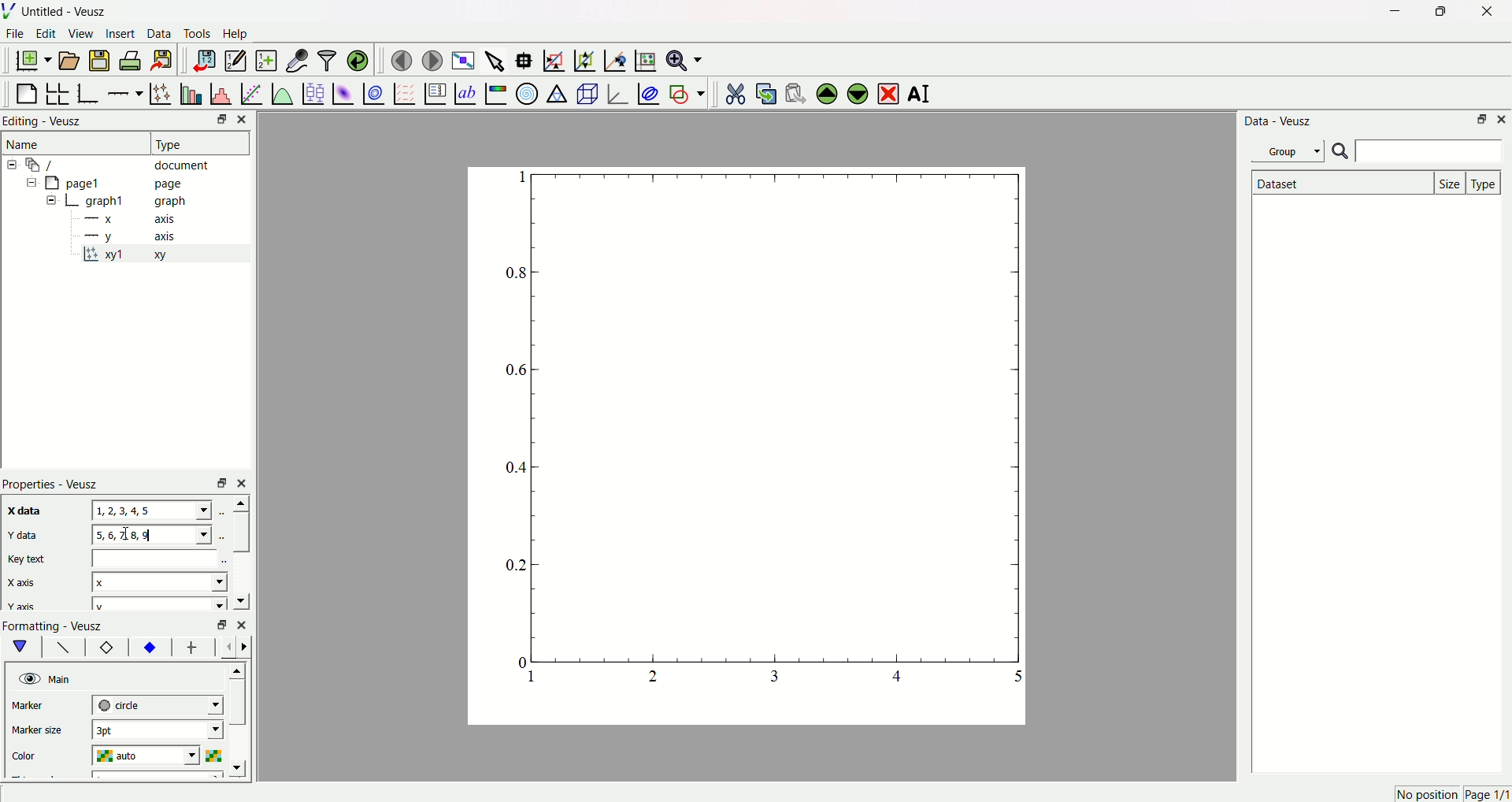  What do you see at coordinates (189, 91) in the screenshot?
I see `bar chart` at bounding box center [189, 91].